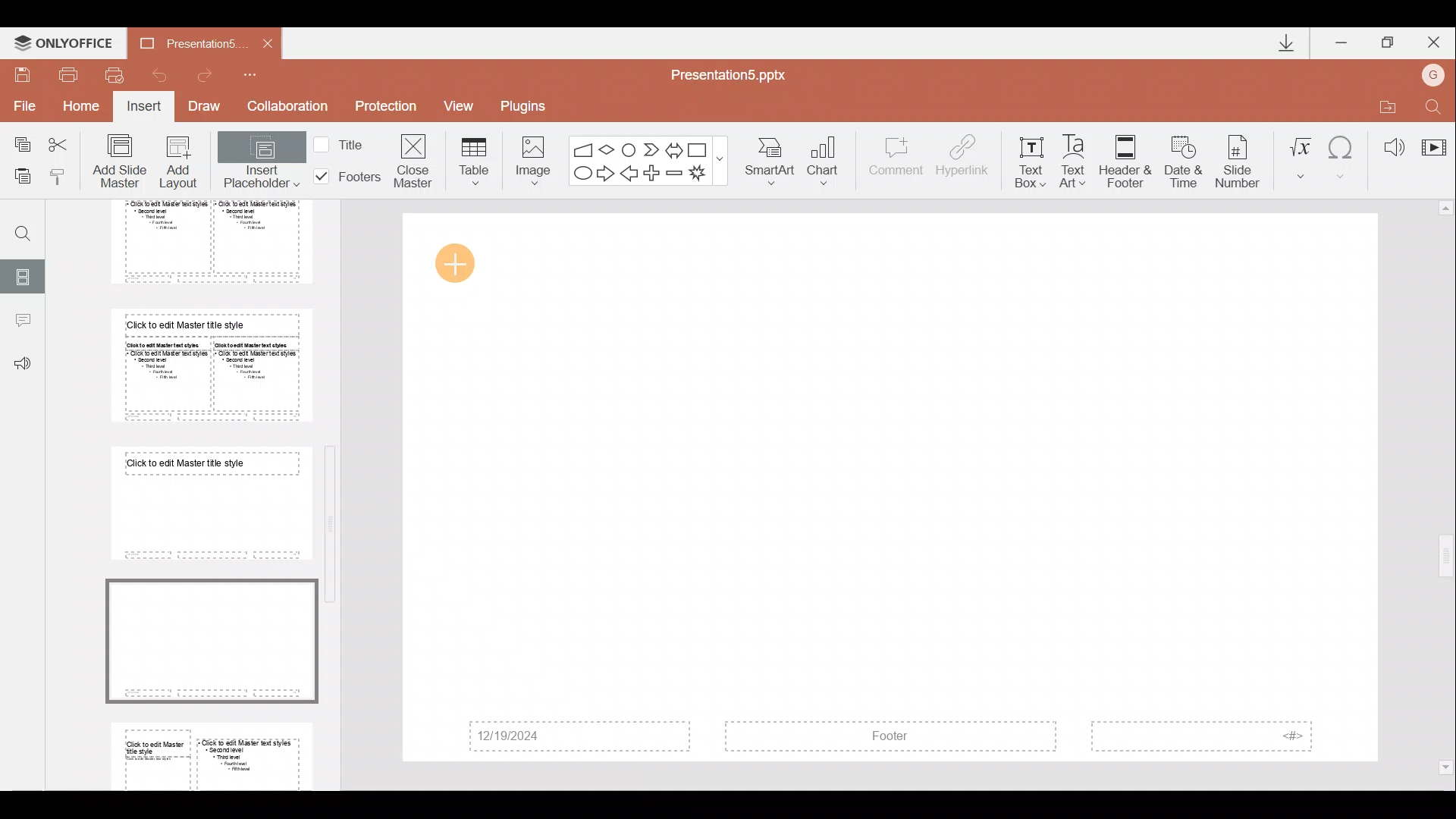 This screenshot has width=1456, height=819. What do you see at coordinates (654, 171) in the screenshot?
I see `Plus` at bounding box center [654, 171].